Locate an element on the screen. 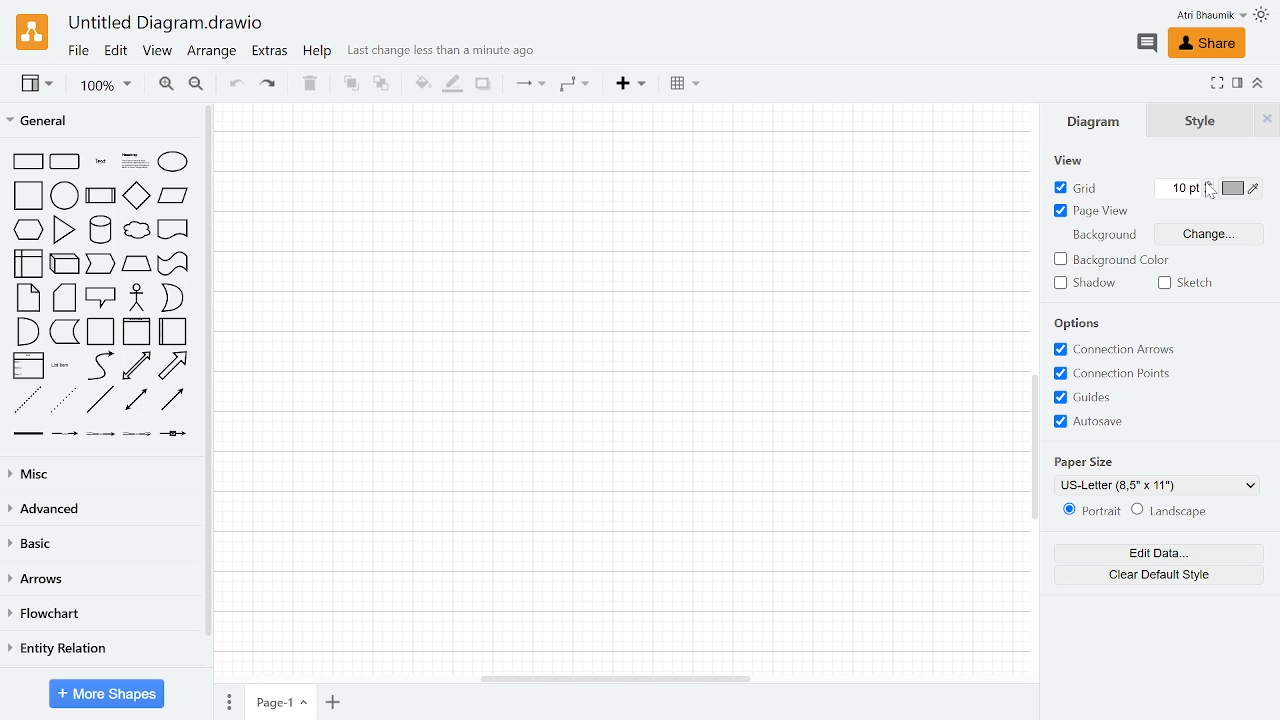 The height and width of the screenshot is (720, 1280). Redo is located at coordinates (269, 85).